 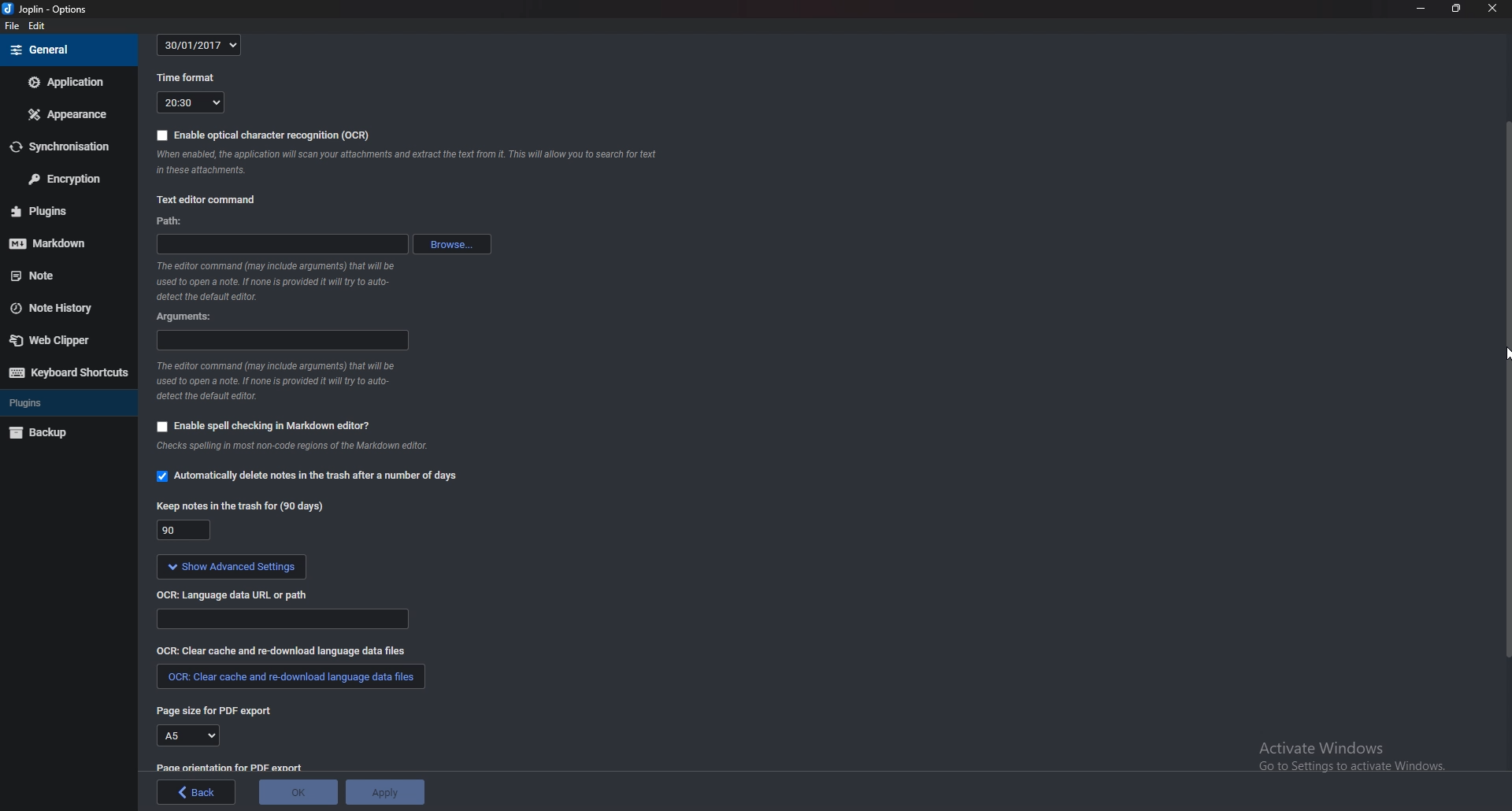 I want to click on Date format, so click(x=198, y=46).